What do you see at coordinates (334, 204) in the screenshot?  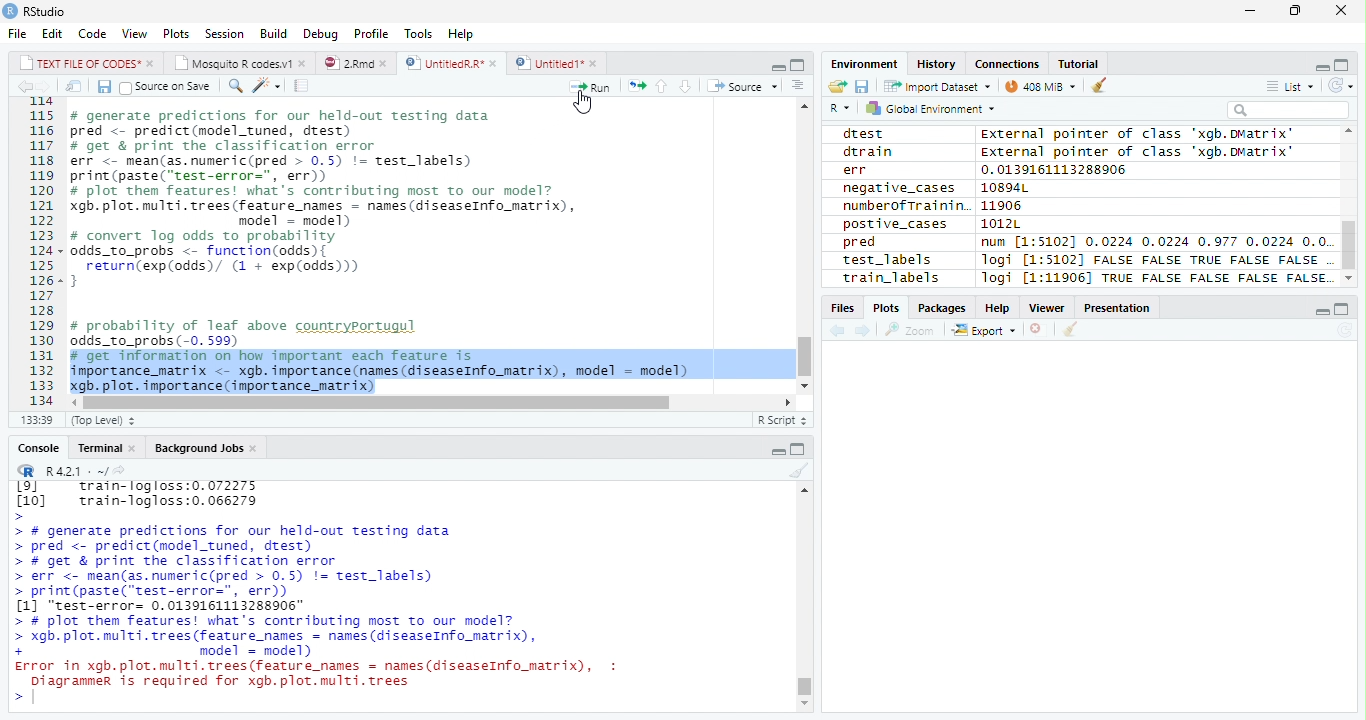 I see `# generate predictions for our held-out testing data
pred <- predict(model_tuned, drest)
# get & print the classification error
err <- mean(as.numeric(pred > 0.5) != test_labels)
print (paste(“test-error=", err))
# plot them features! what's contributing most to our model?
gb. plot. multi. trees (feature_names = names (diseaseInfo_matrix),
model = model)
# convert log odds to probability
odds_to_probs <- function(odds){
return(exp(odds)/ (1 + exp(0dds)))
3` at bounding box center [334, 204].